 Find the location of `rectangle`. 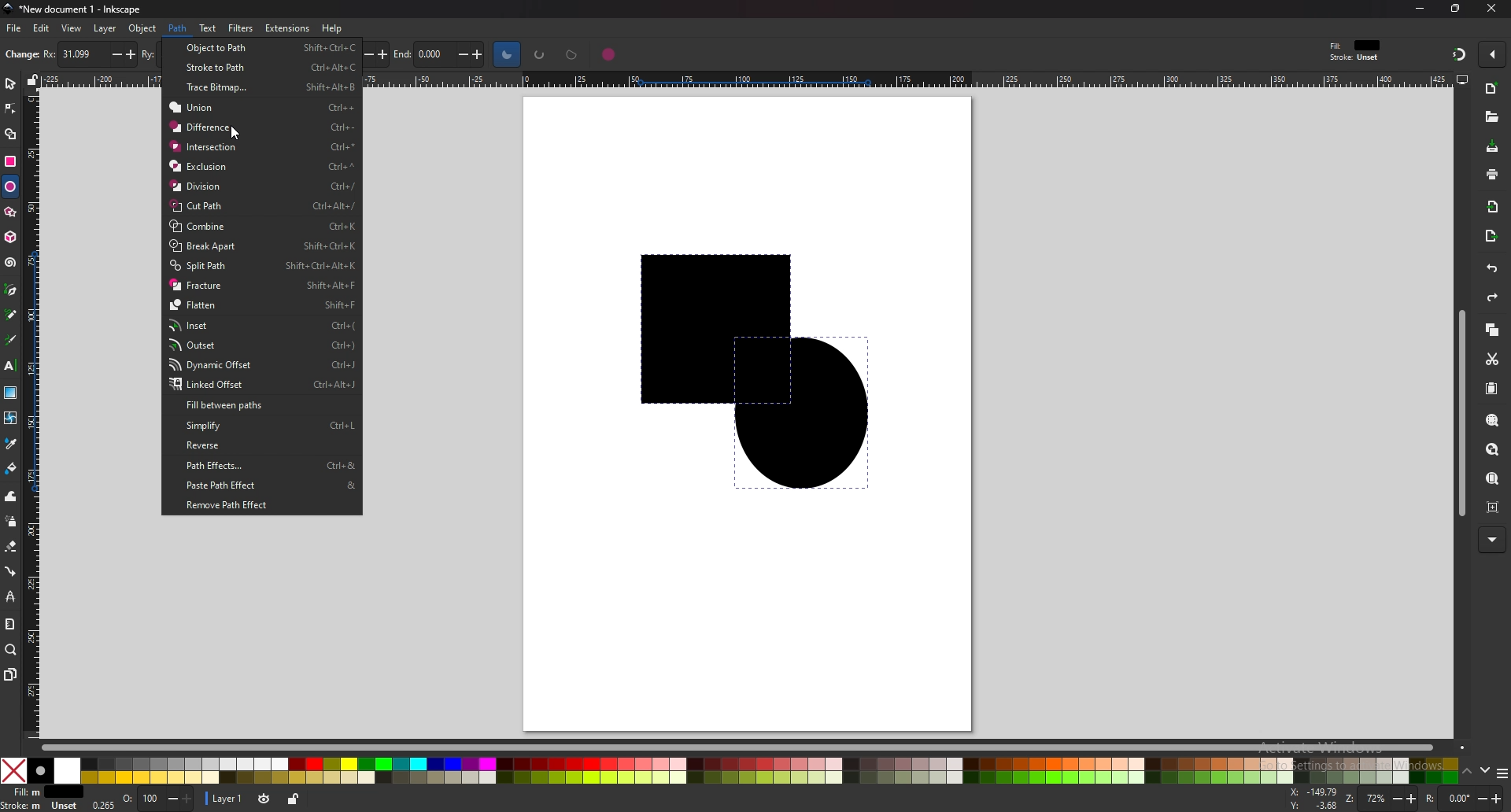

rectangle is located at coordinates (11, 160).